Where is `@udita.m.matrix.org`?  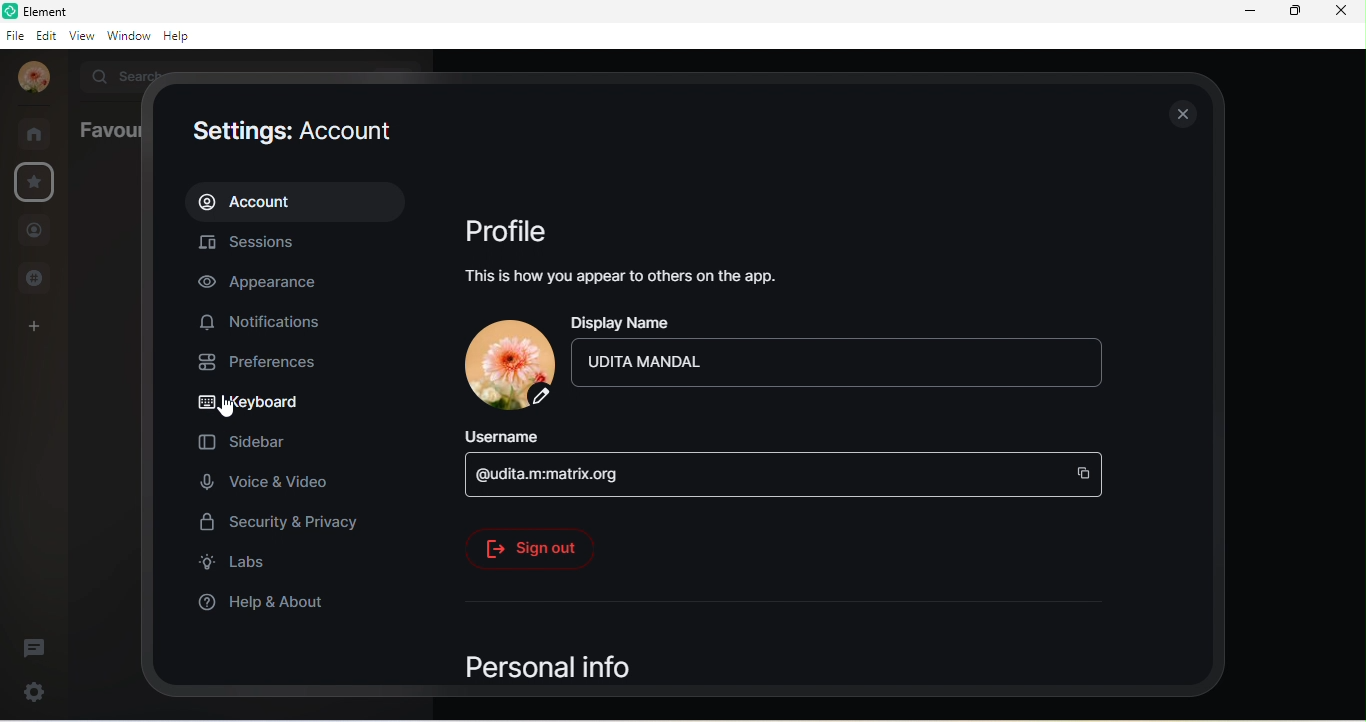
@udita.m.matrix.org is located at coordinates (791, 476).